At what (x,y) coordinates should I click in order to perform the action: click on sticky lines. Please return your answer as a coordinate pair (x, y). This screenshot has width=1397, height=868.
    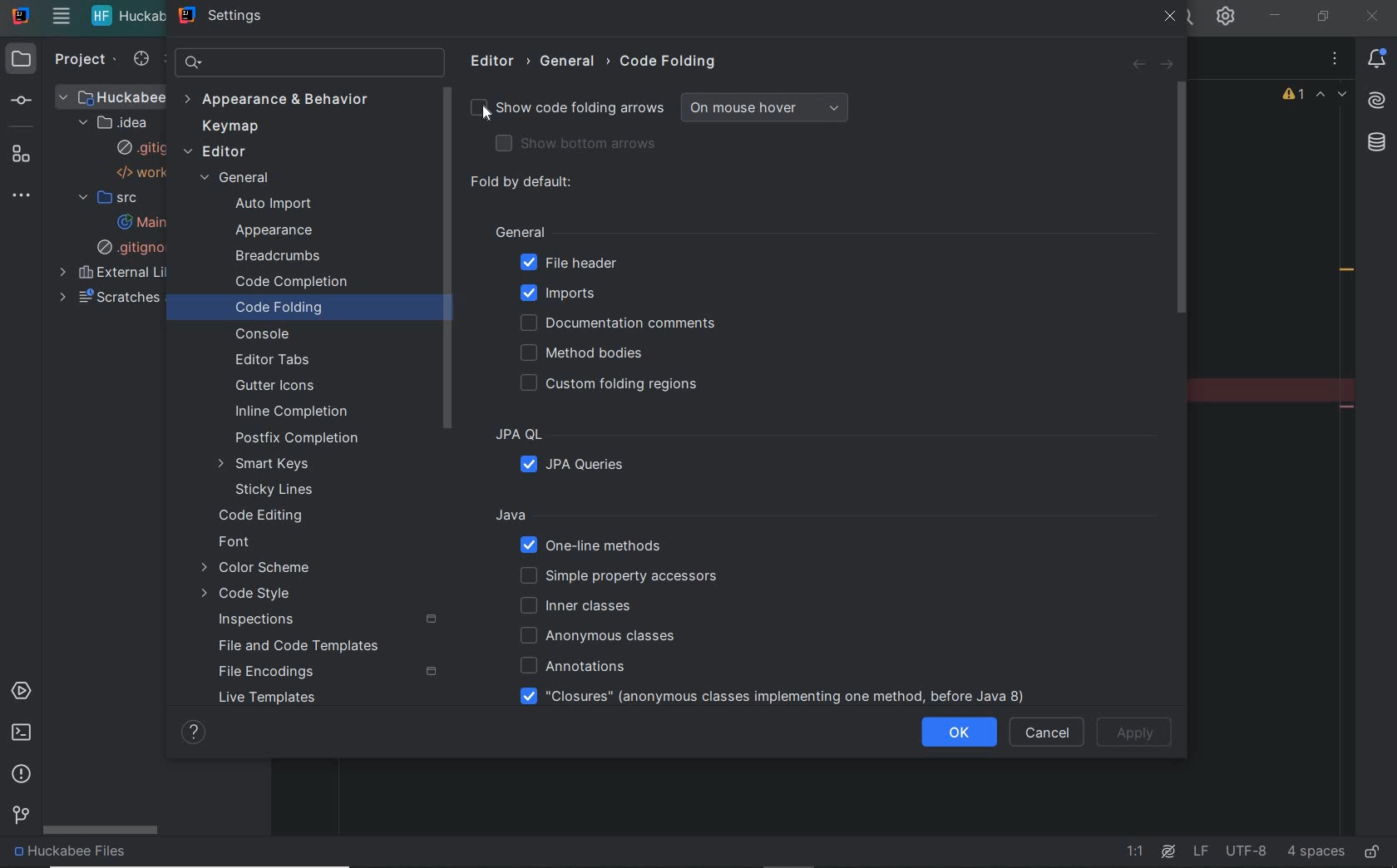
    Looking at the image, I should click on (273, 491).